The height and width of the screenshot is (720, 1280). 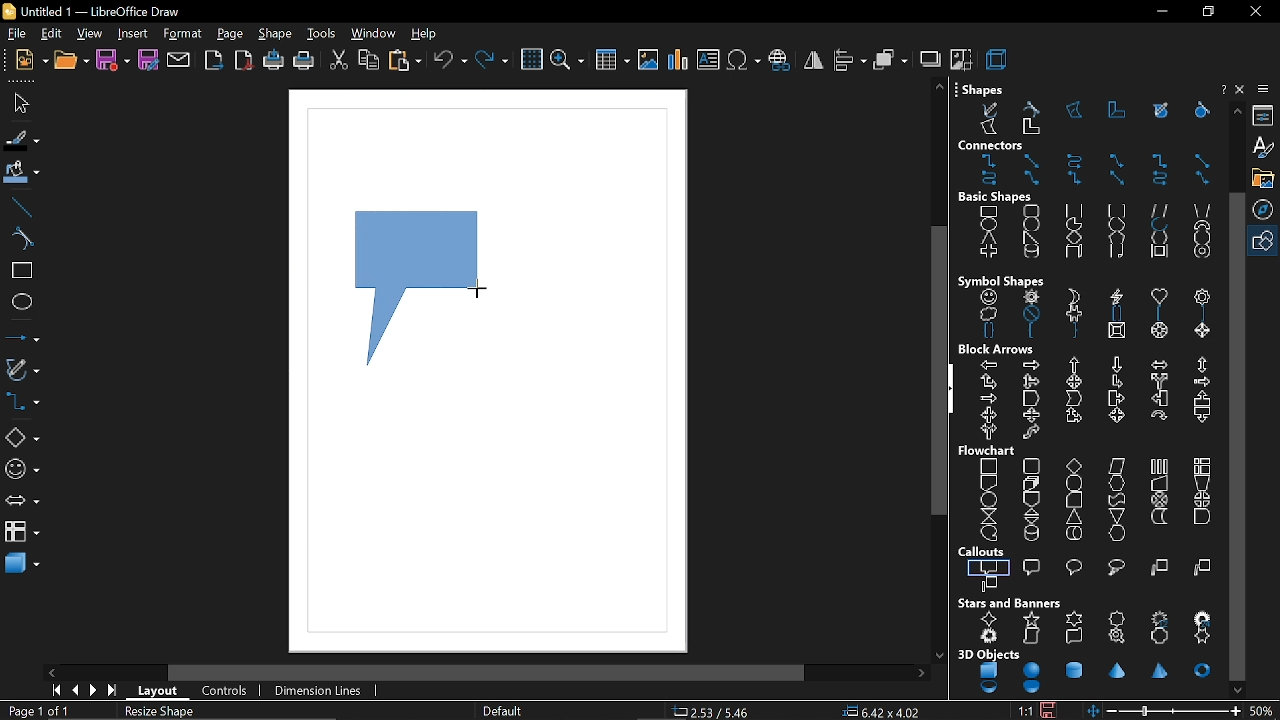 I want to click on alternate process, so click(x=1029, y=465).